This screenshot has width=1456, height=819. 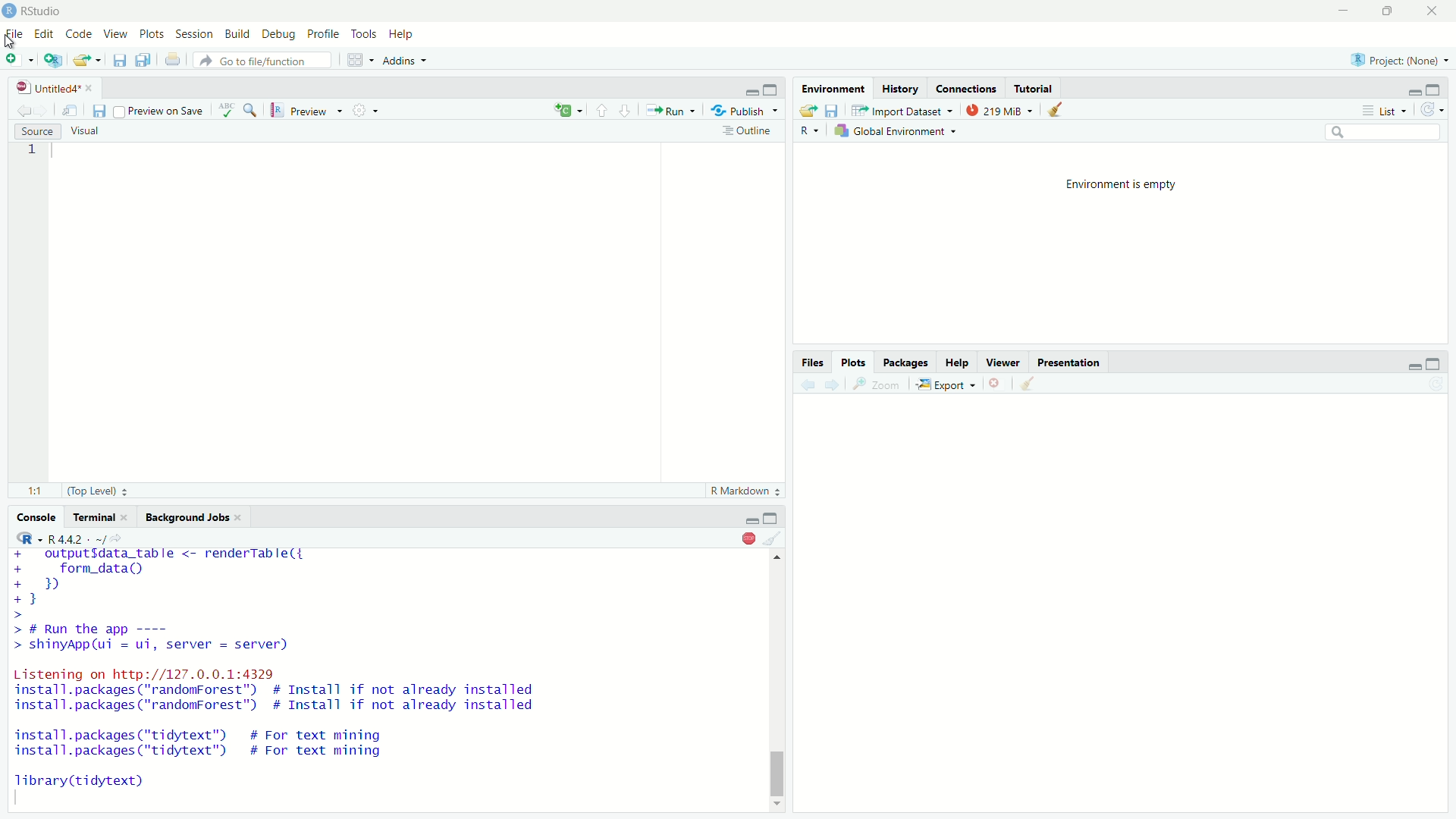 I want to click on Session, so click(x=193, y=34).